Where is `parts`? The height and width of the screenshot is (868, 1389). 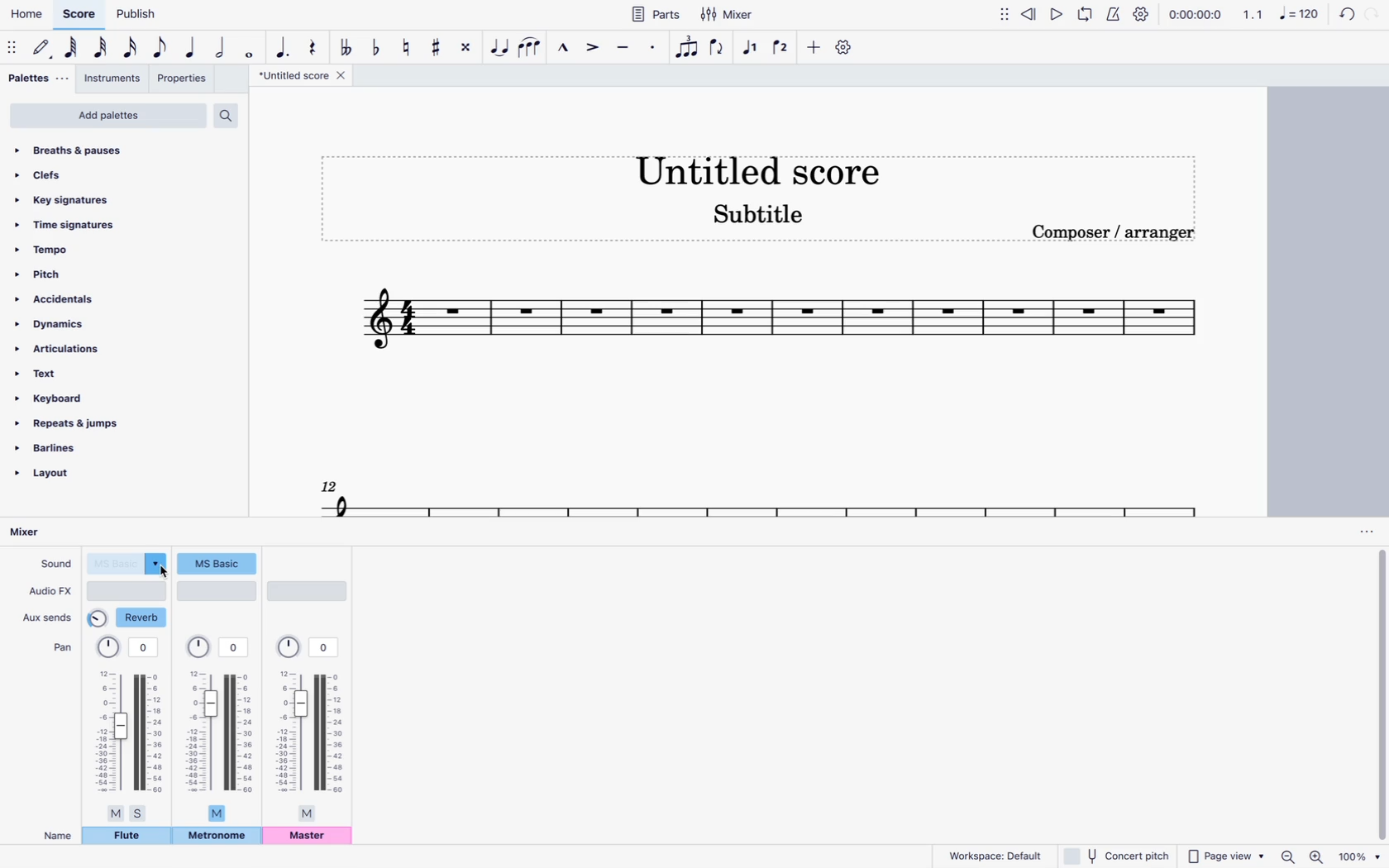
parts is located at coordinates (655, 13).